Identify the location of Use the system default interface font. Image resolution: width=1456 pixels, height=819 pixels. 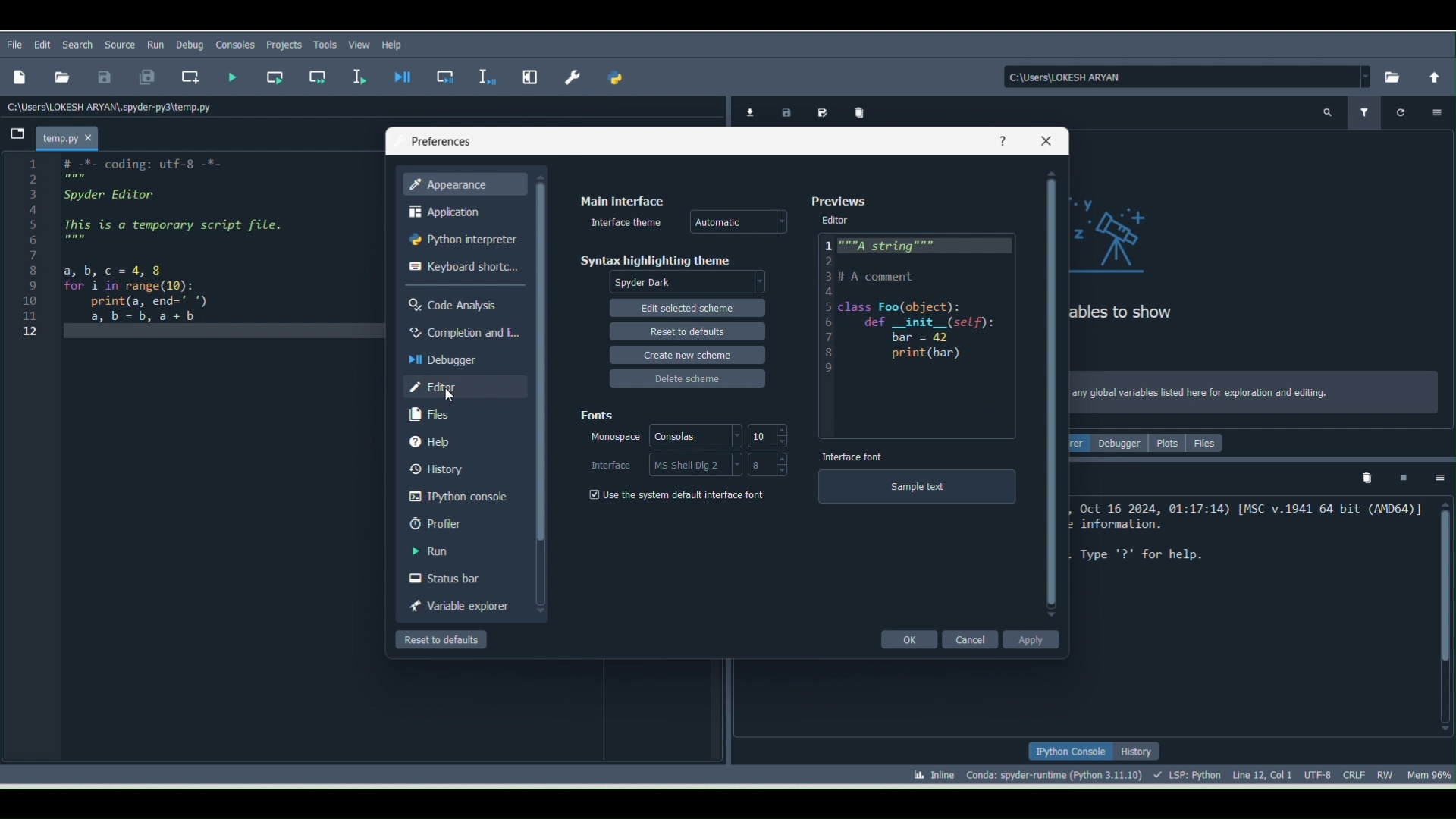
(676, 494).